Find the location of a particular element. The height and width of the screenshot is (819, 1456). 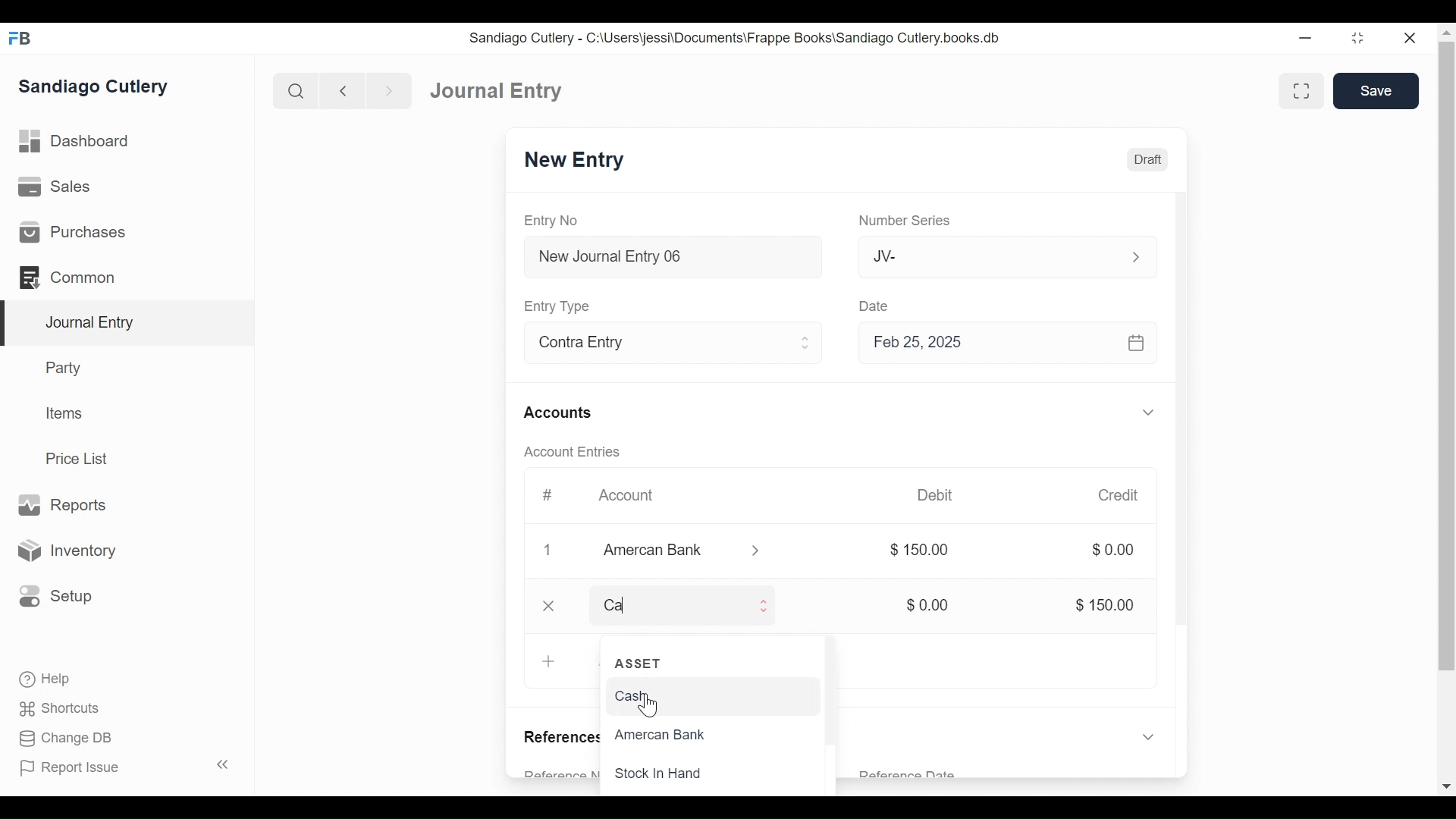

Vertical Scroll bar is located at coordinates (1447, 357).